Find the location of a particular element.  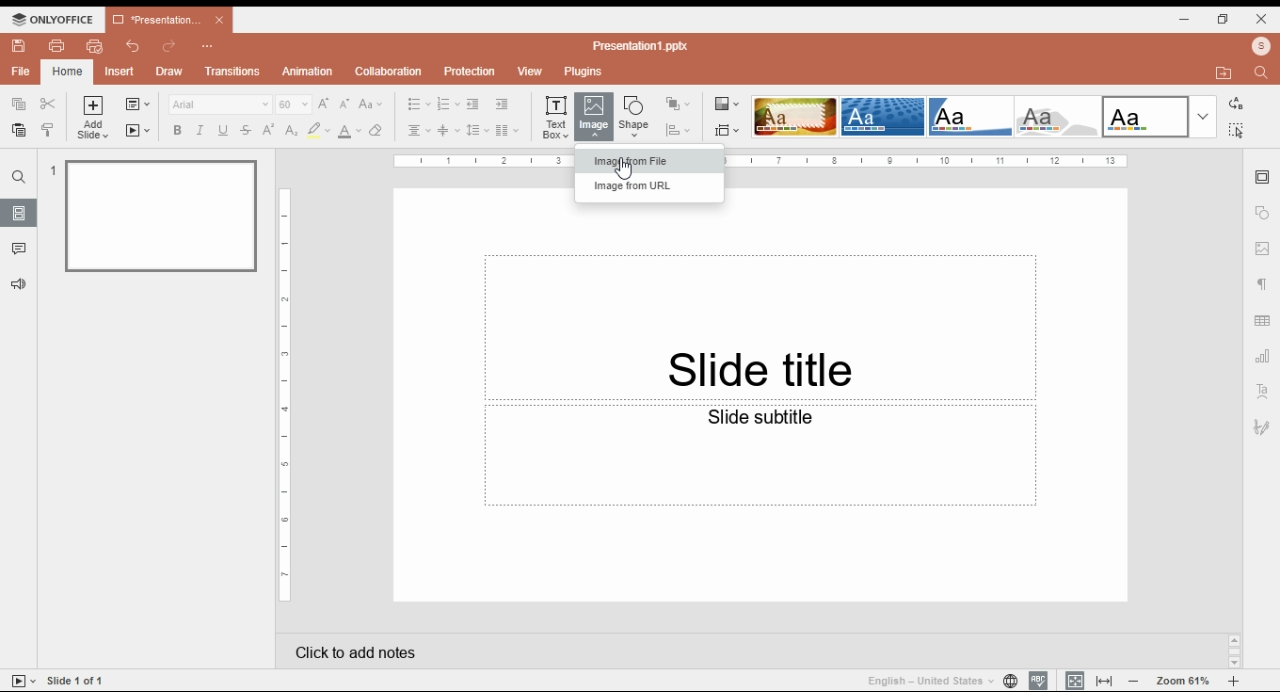

find is located at coordinates (1259, 74).